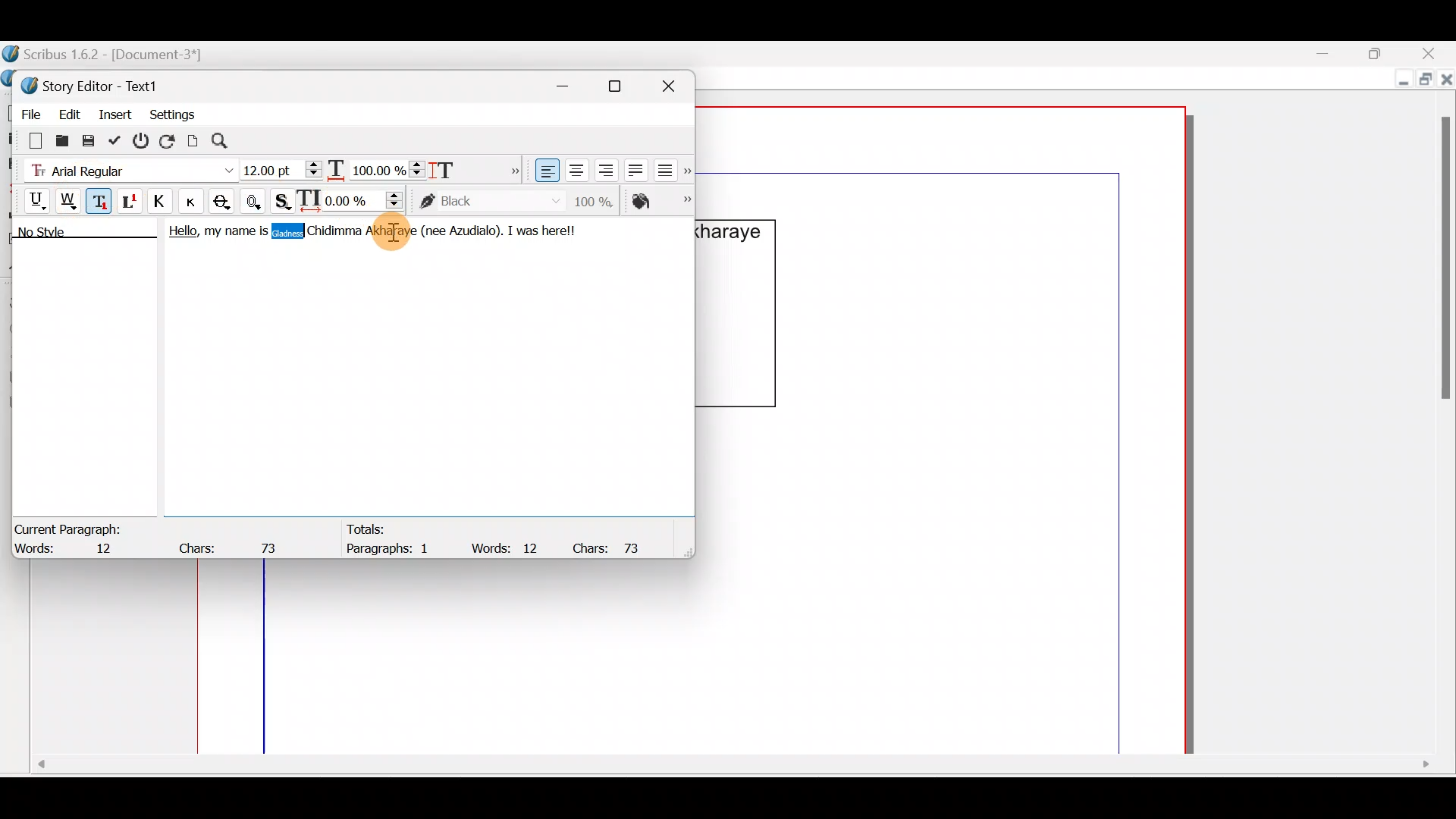 The image size is (1456, 819). Describe the element at coordinates (232, 544) in the screenshot. I see `Chars: 73` at that location.